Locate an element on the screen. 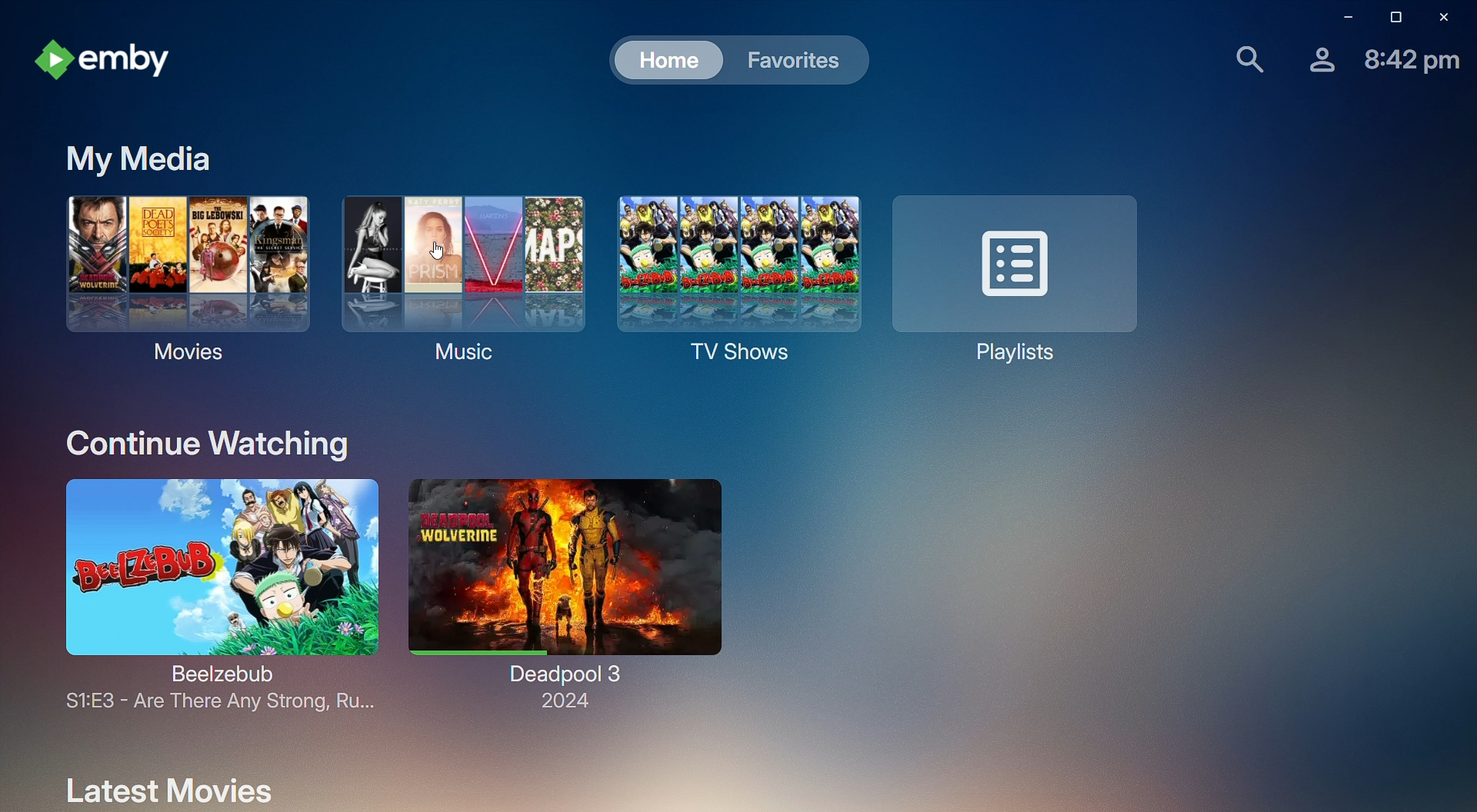 The height and width of the screenshot is (812, 1477). Continue Watching is located at coordinates (213, 441).